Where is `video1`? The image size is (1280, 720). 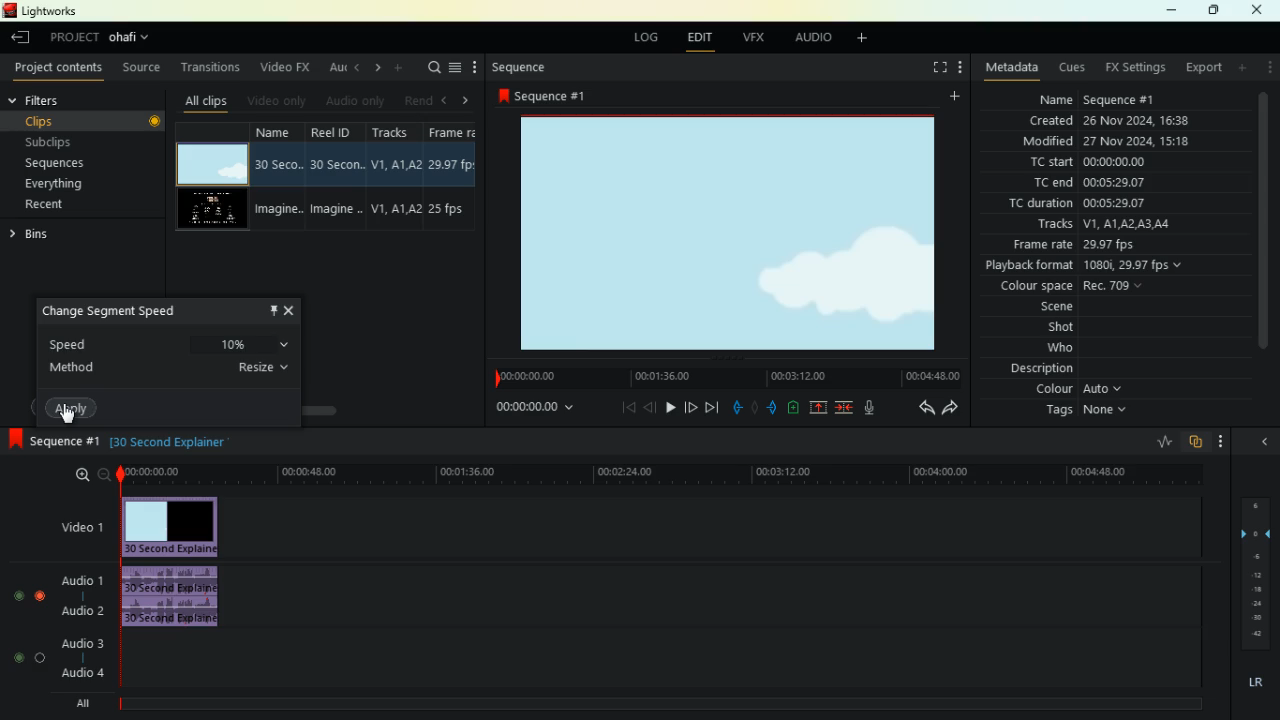
video1 is located at coordinates (78, 526).